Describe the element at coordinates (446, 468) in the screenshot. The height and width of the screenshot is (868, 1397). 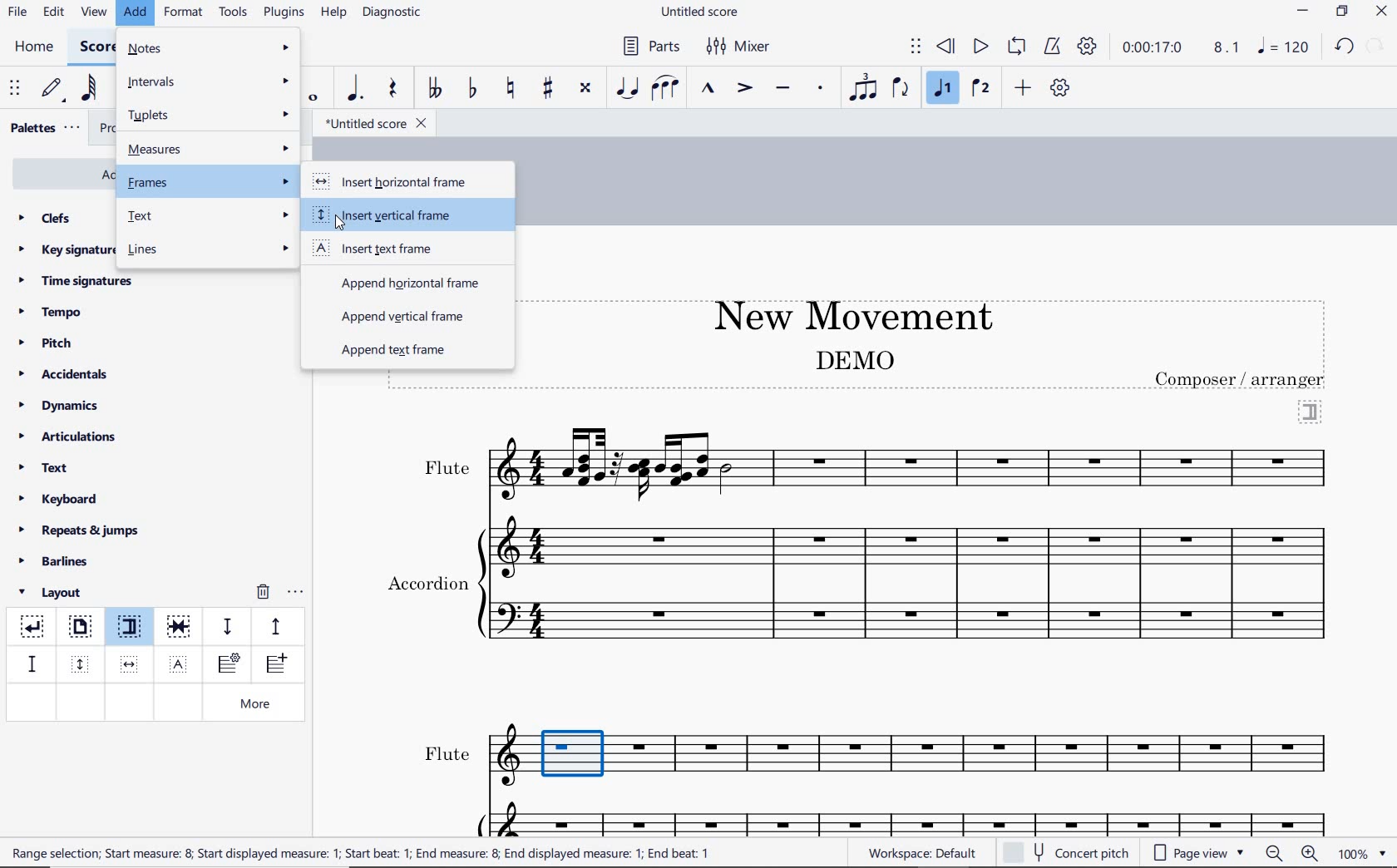
I see `text` at that location.